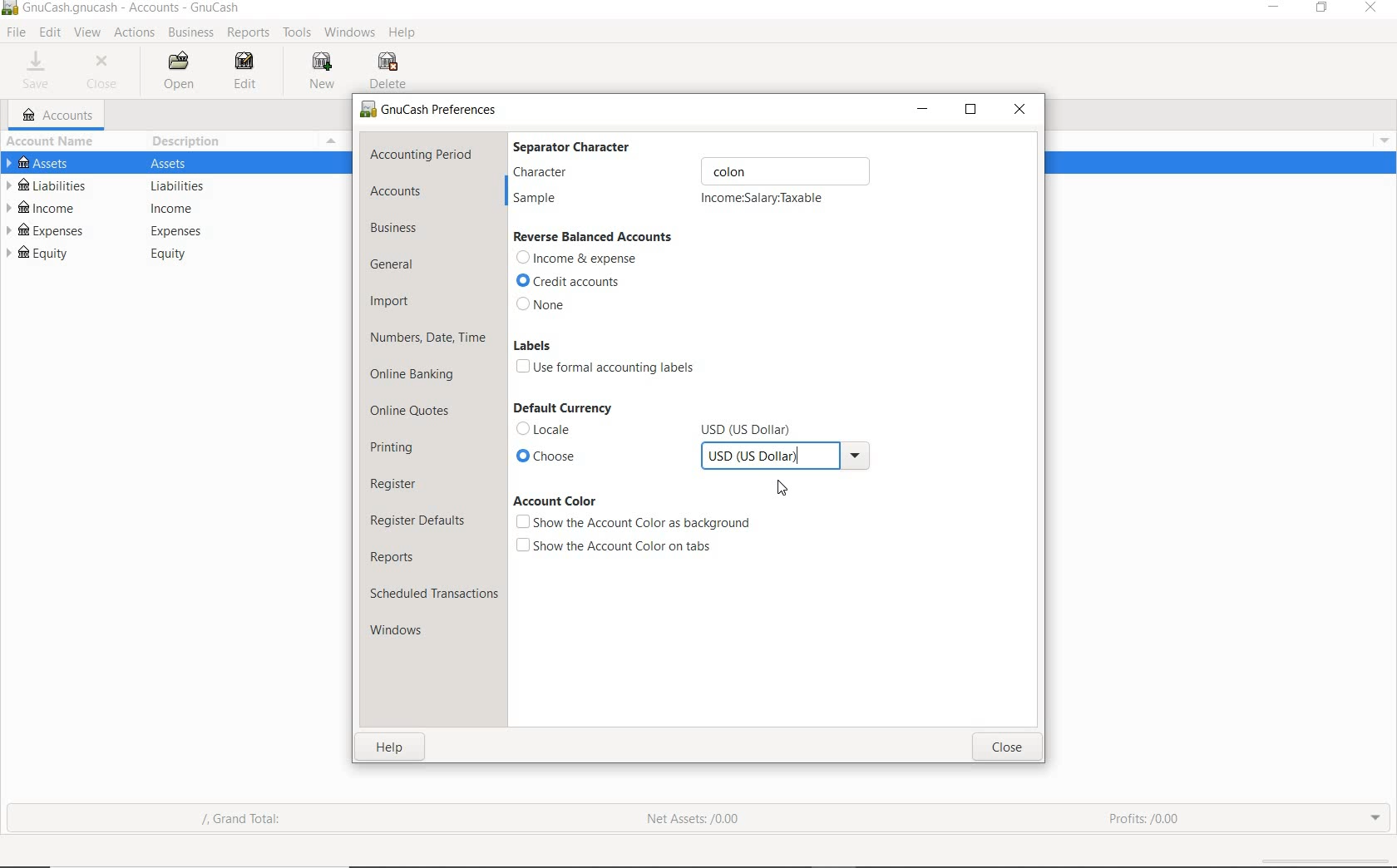  What do you see at coordinates (690, 172) in the screenshot?
I see `character` at bounding box center [690, 172].